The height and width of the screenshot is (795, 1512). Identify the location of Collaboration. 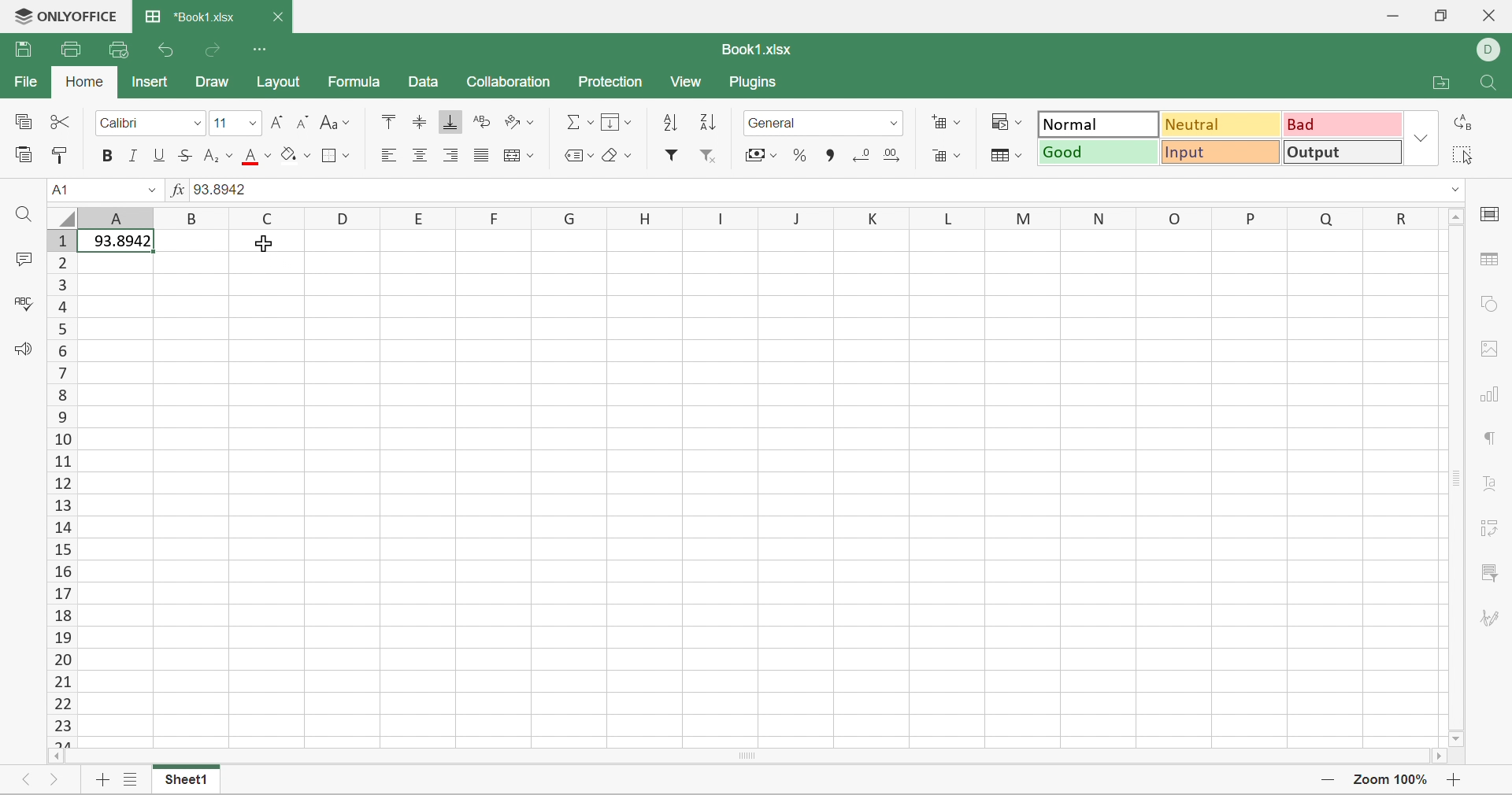
(511, 80).